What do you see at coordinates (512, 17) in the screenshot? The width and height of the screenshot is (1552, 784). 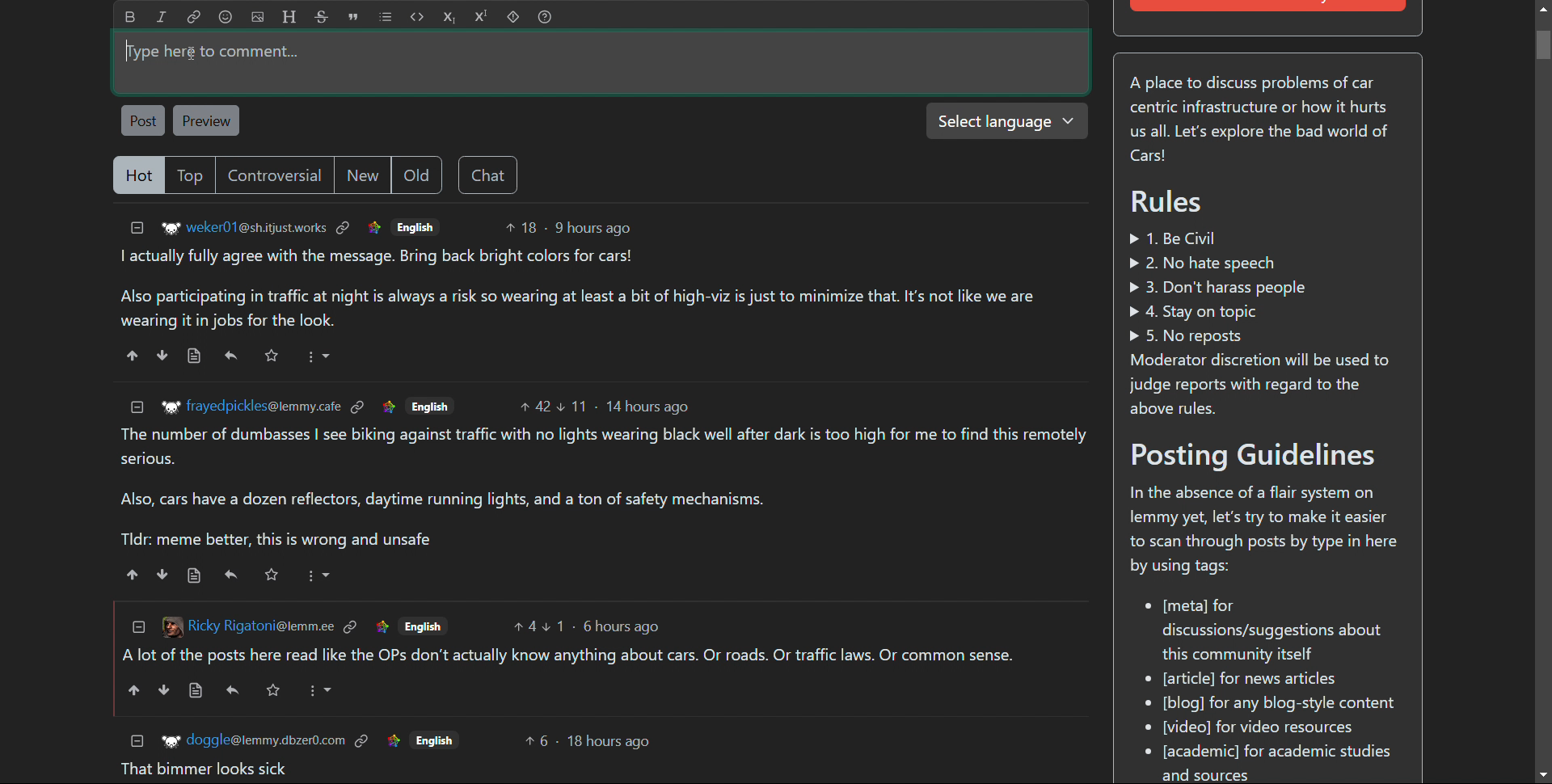 I see `spoiler` at bounding box center [512, 17].